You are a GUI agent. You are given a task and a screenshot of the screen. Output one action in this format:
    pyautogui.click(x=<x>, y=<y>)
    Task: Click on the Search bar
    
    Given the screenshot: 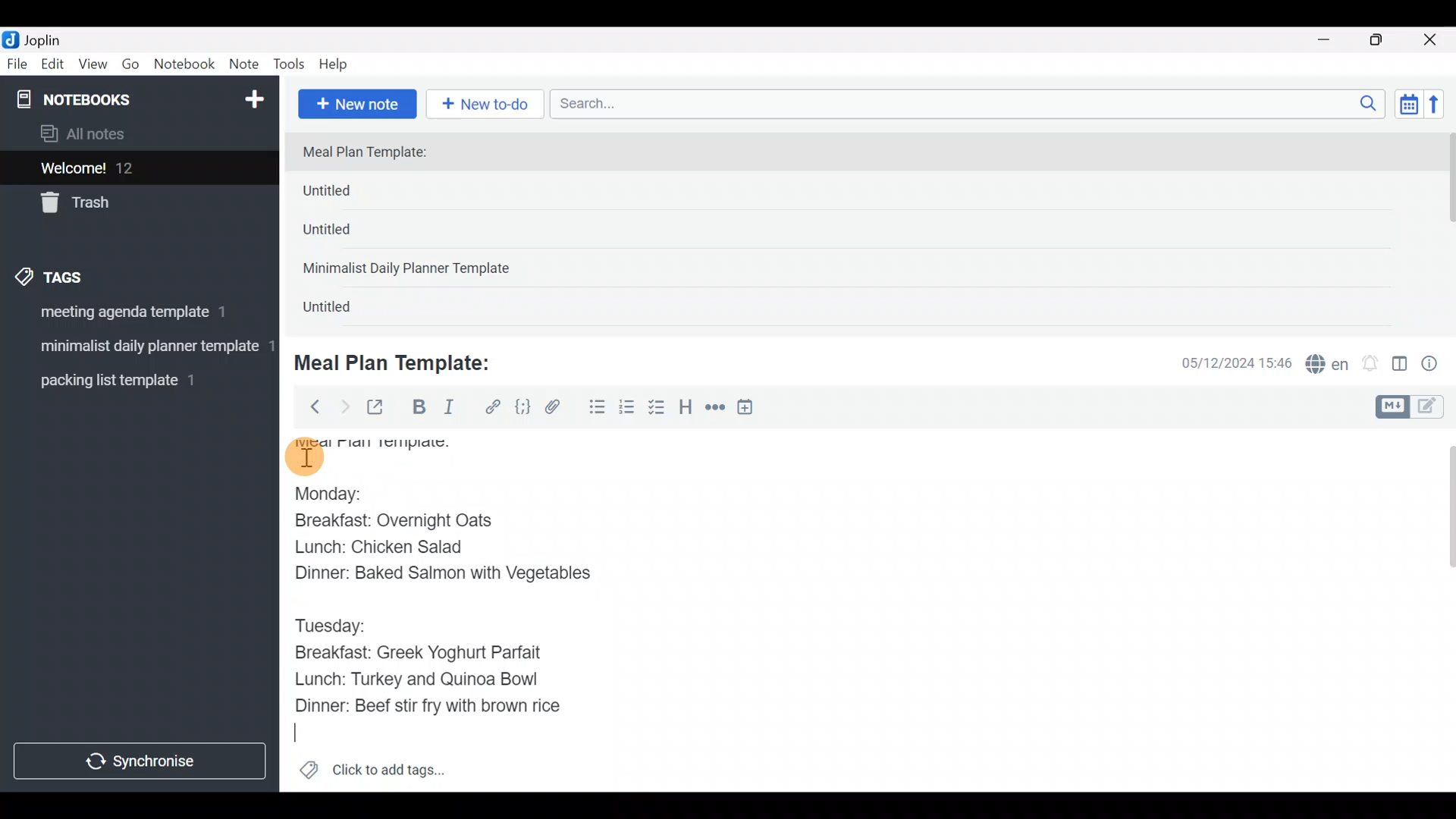 What is the action you would take?
    pyautogui.click(x=971, y=102)
    